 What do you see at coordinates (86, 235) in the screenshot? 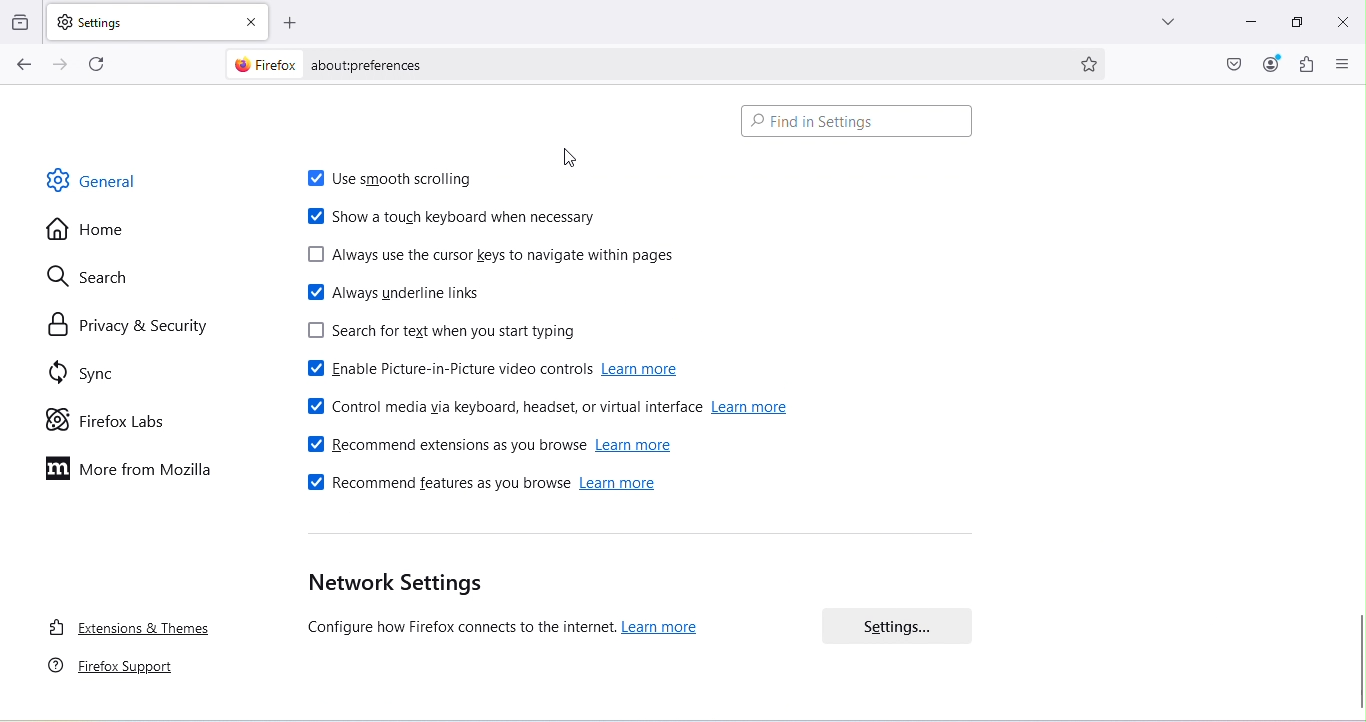
I see `Home` at bounding box center [86, 235].